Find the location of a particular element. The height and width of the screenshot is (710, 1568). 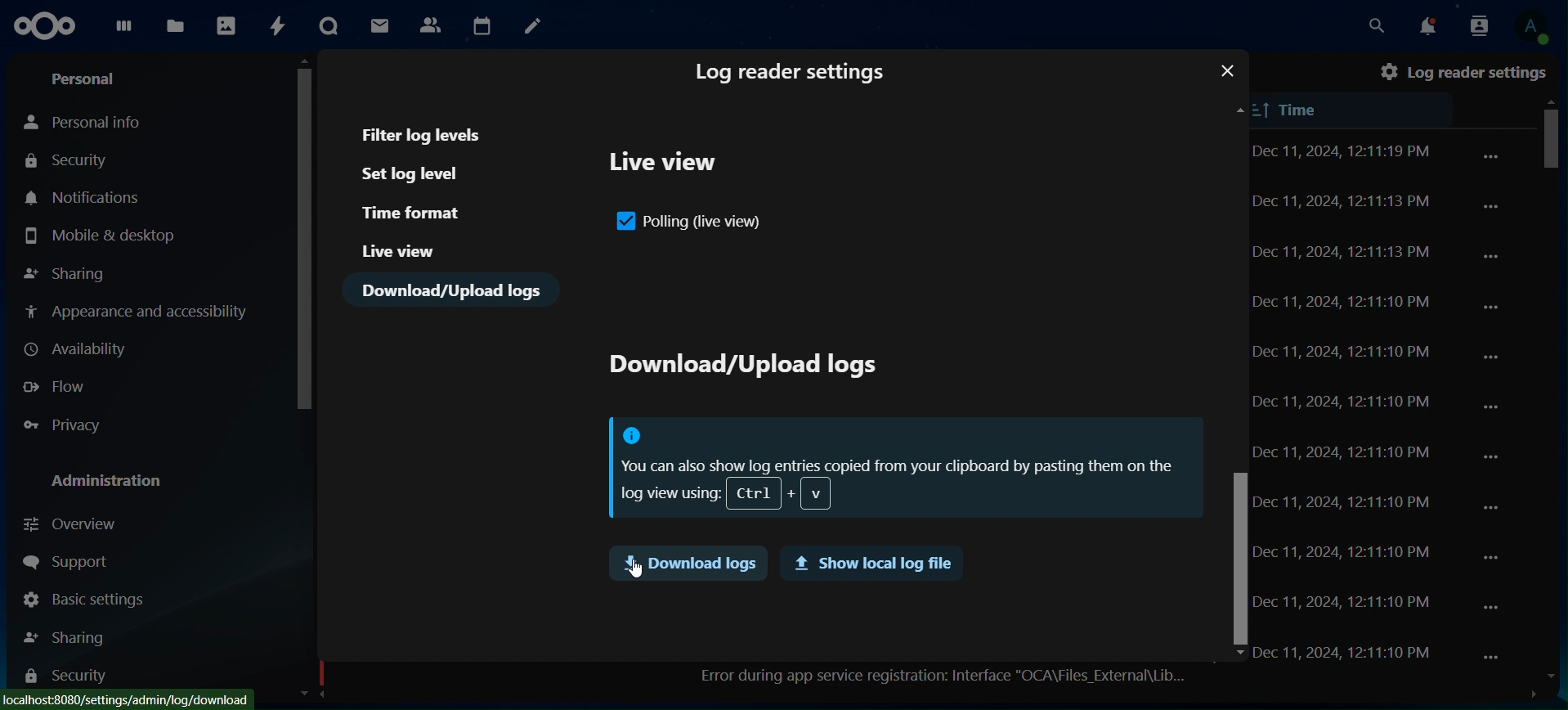

... is located at coordinates (1491, 607).